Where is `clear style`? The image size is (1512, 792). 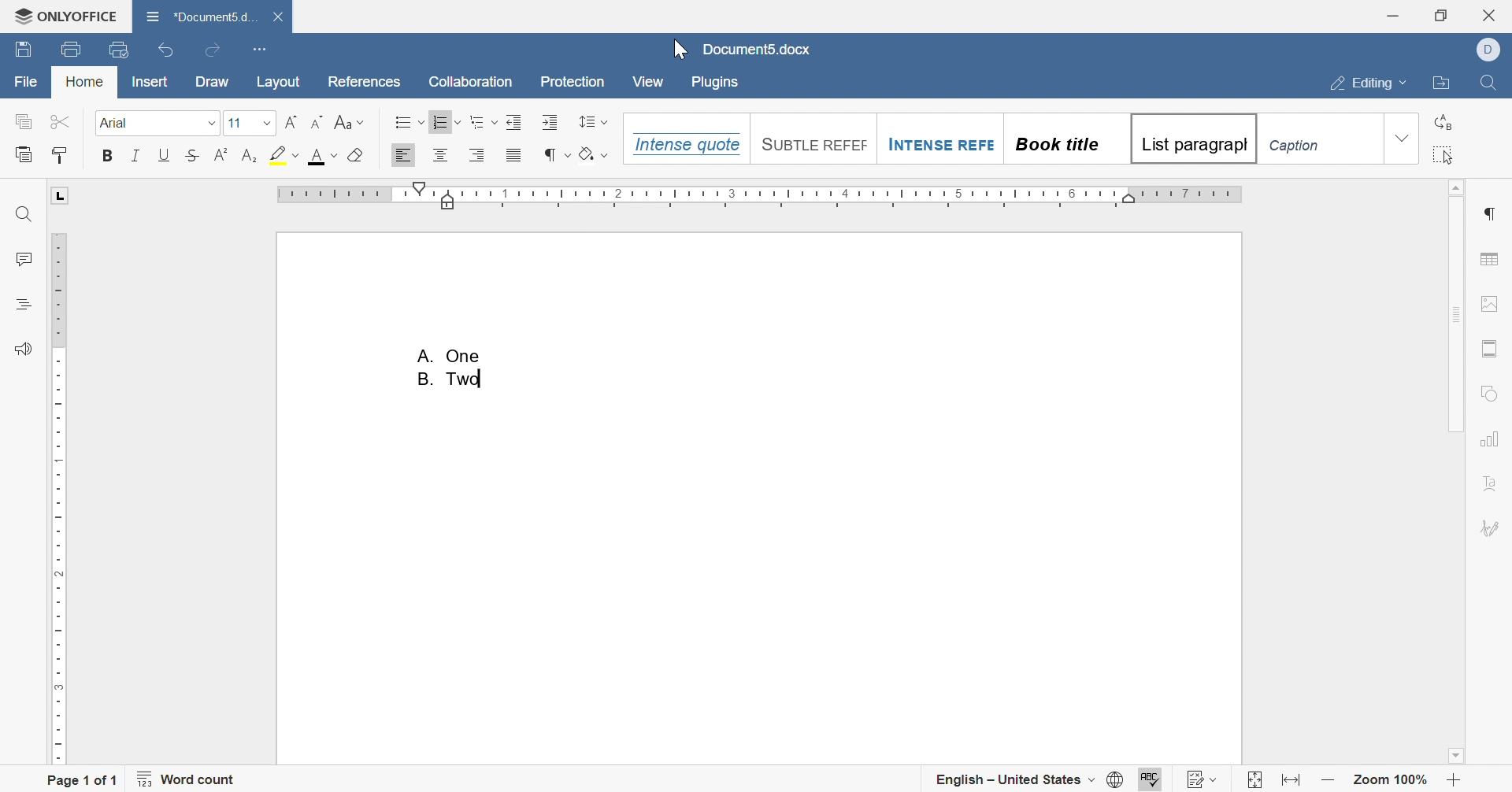 clear style is located at coordinates (358, 155).